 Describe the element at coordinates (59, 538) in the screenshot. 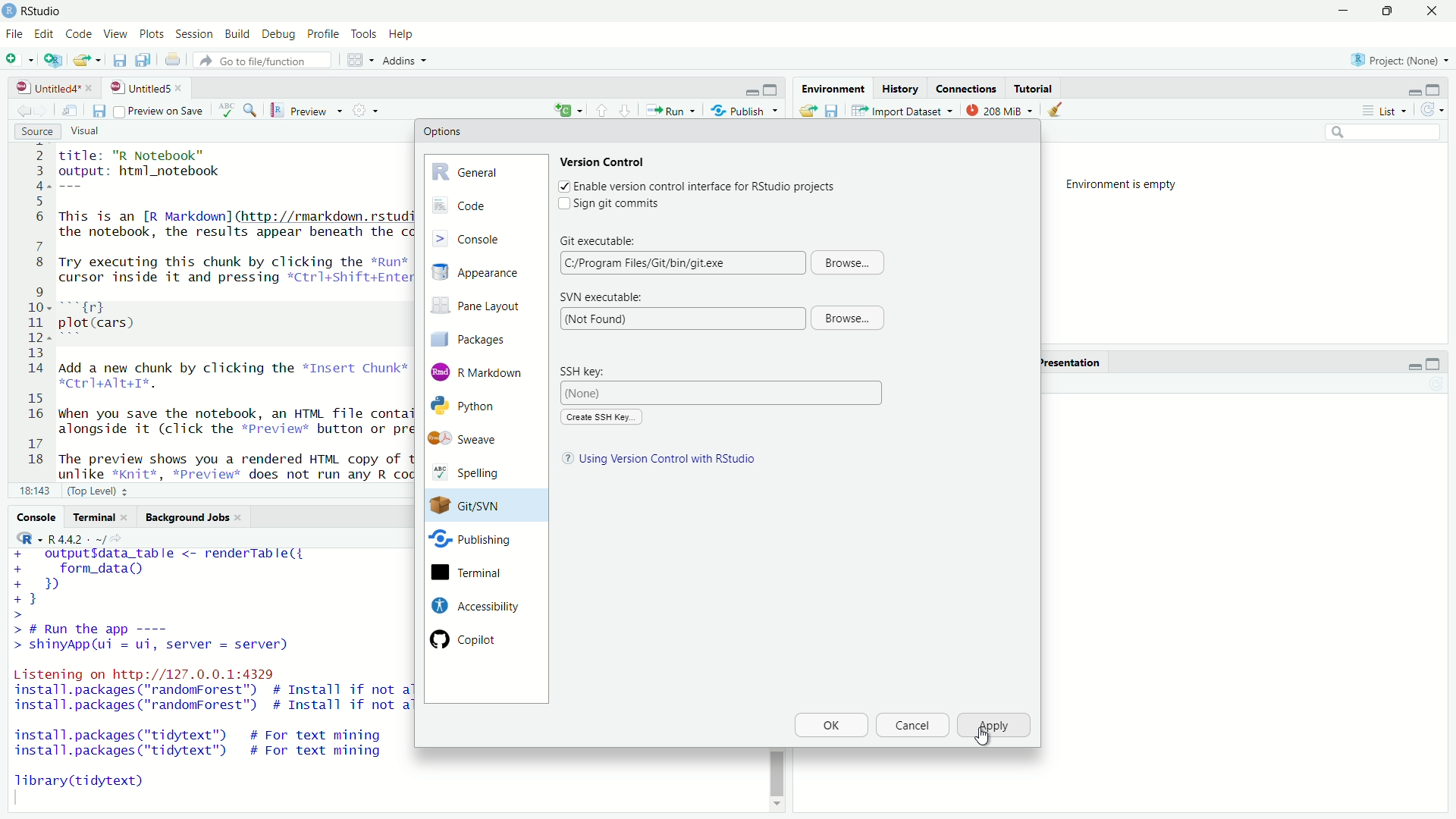

I see `R - R442 ~/` at that location.